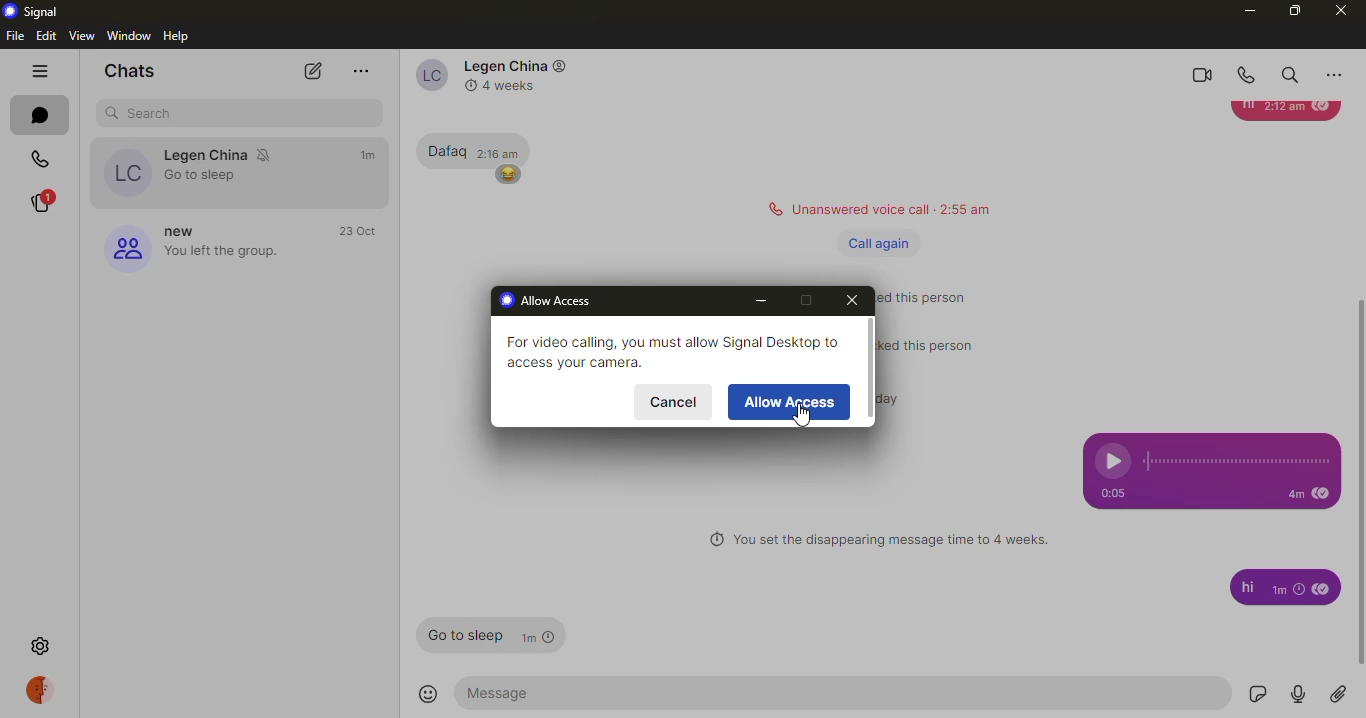  I want to click on record, so click(1298, 693).